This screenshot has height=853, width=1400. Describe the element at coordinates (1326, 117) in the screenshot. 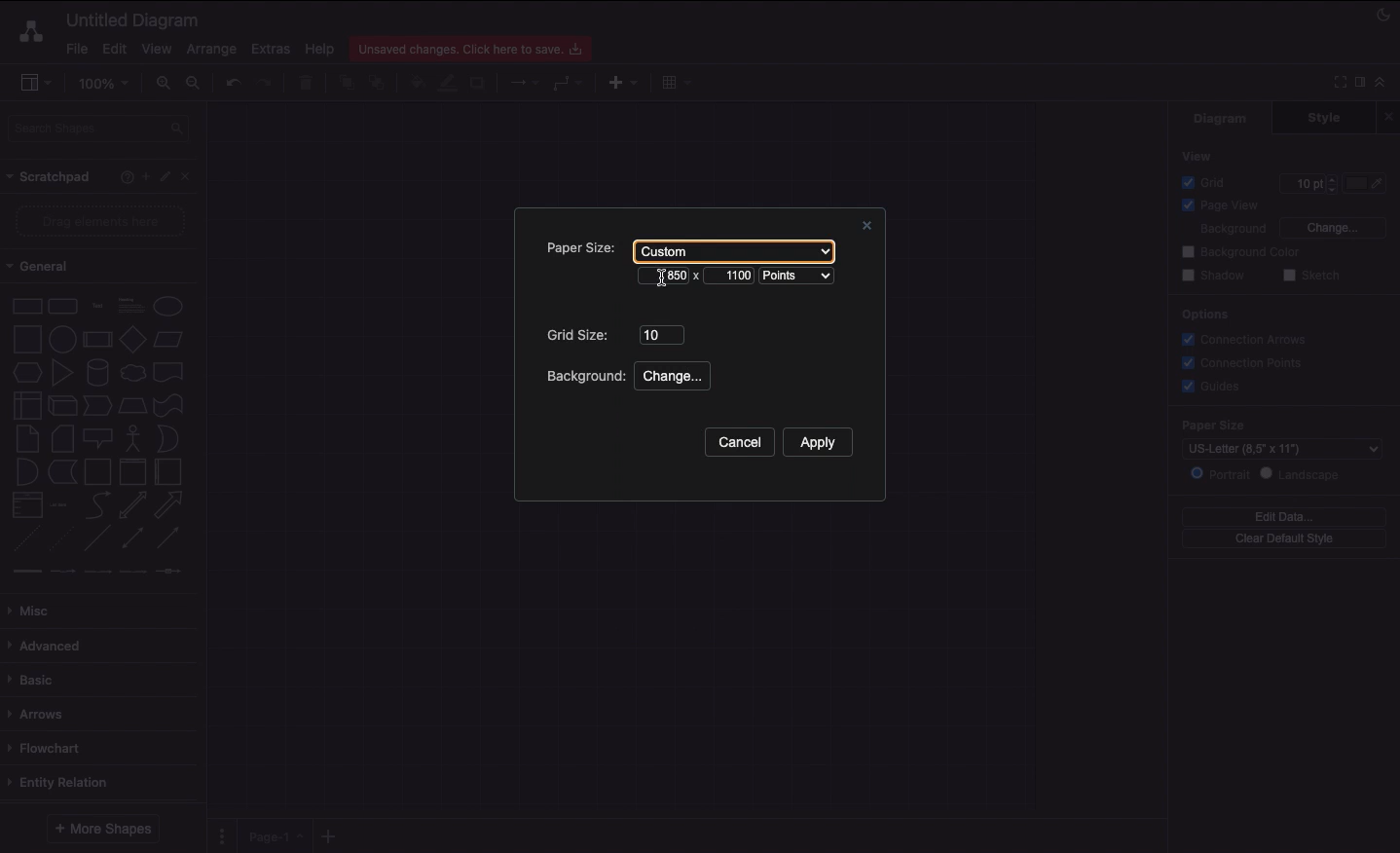

I see `Style` at that location.